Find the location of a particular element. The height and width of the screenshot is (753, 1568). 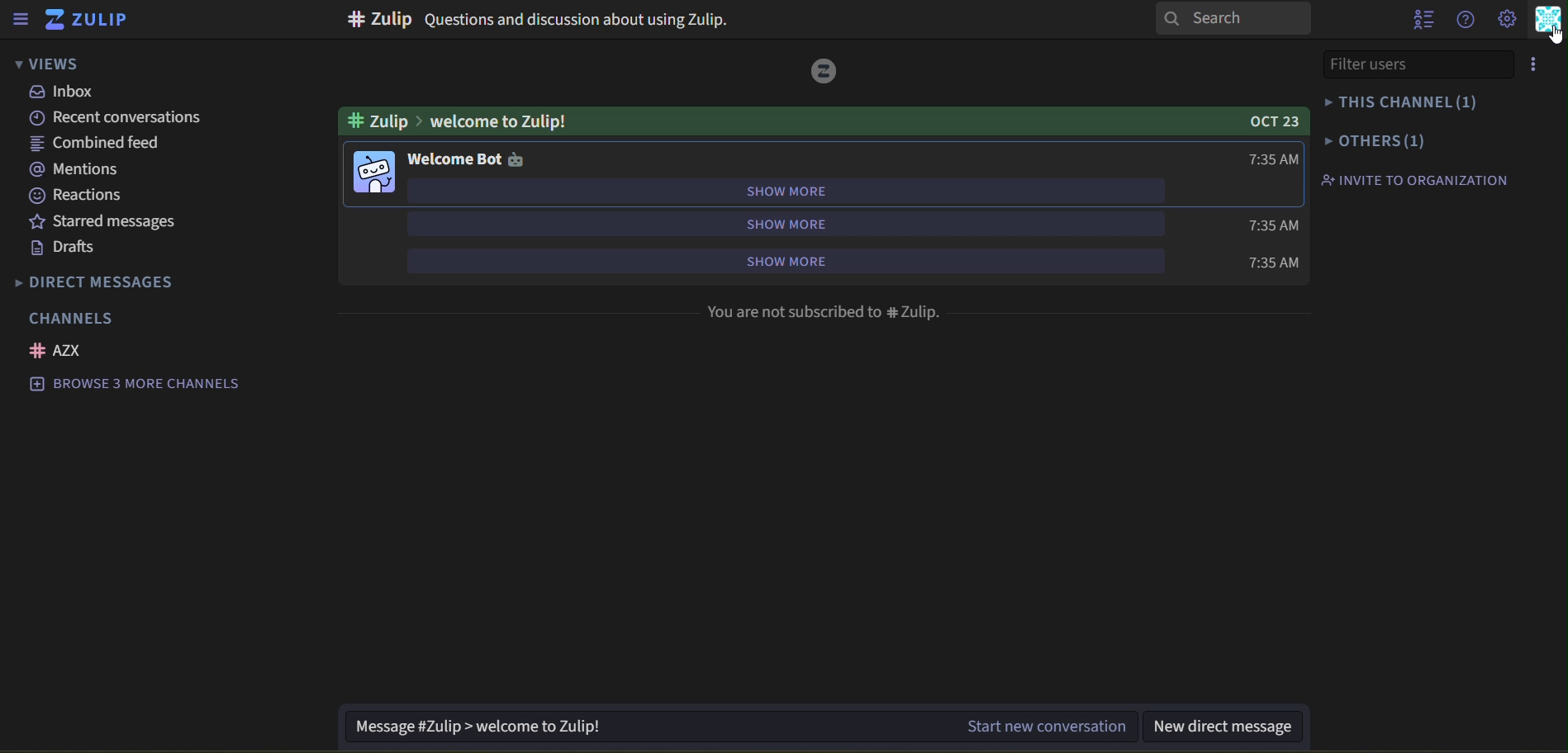

combined feed is located at coordinates (98, 144).